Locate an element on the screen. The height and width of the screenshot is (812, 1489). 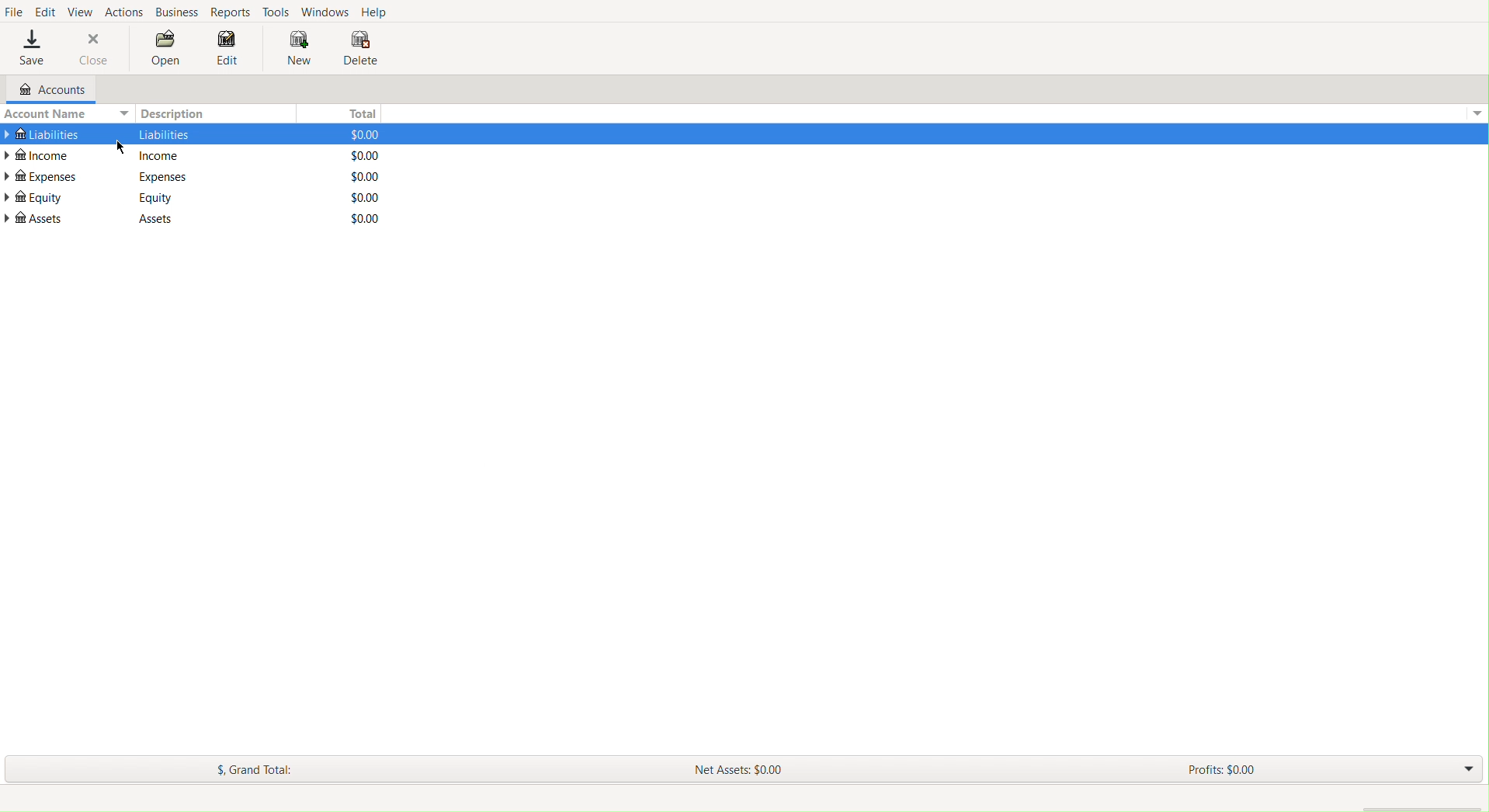
Income is located at coordinates (40, 154).